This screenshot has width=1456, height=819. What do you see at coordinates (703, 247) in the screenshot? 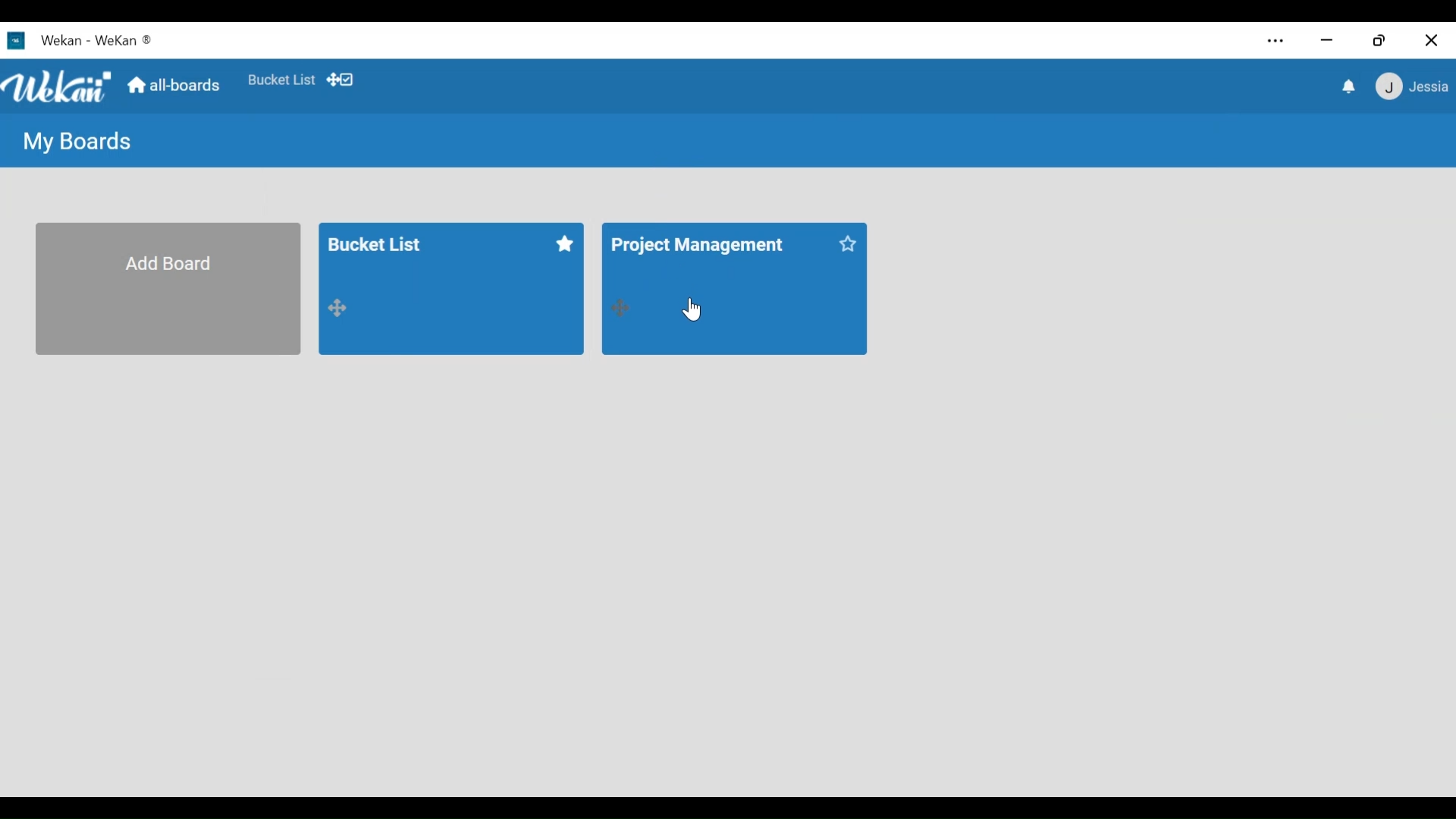
I see `Board title` at bounding box center [703, 247].